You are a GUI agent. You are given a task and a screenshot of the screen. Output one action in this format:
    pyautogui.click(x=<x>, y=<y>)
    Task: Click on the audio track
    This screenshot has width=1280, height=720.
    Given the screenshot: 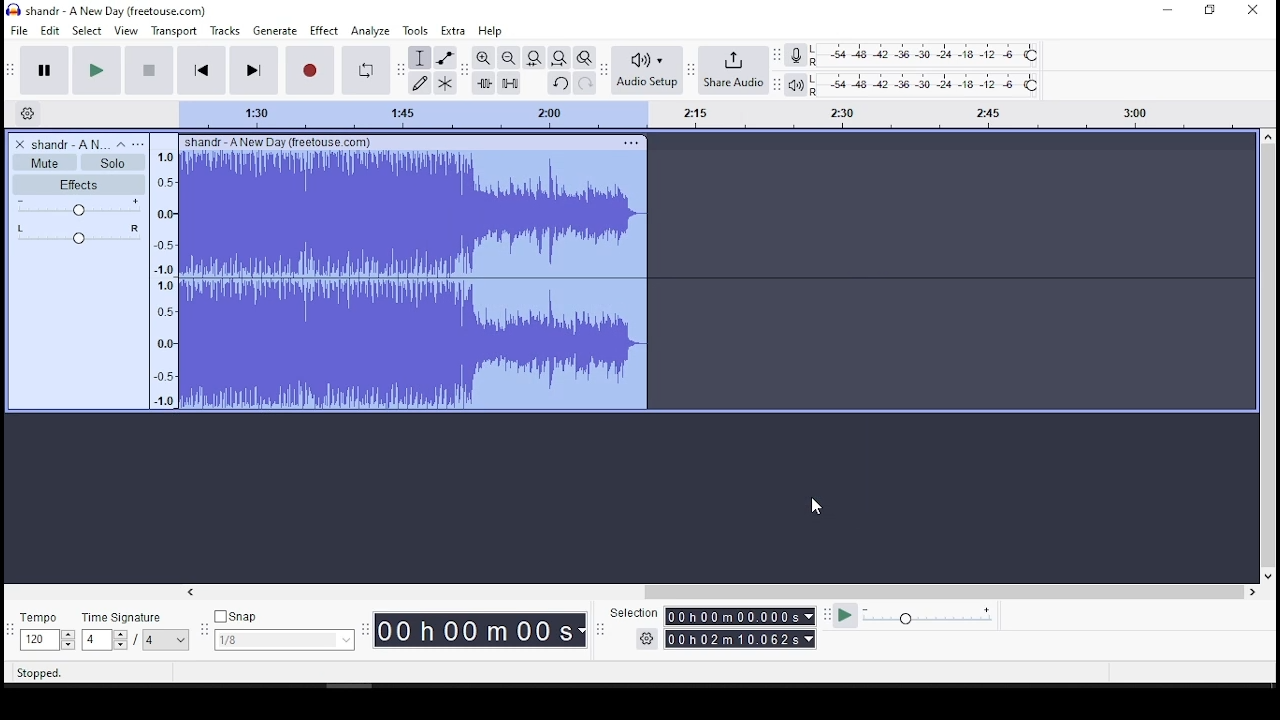 What is the action you would take?
    pyautogui.click(x=416, y=273)
    